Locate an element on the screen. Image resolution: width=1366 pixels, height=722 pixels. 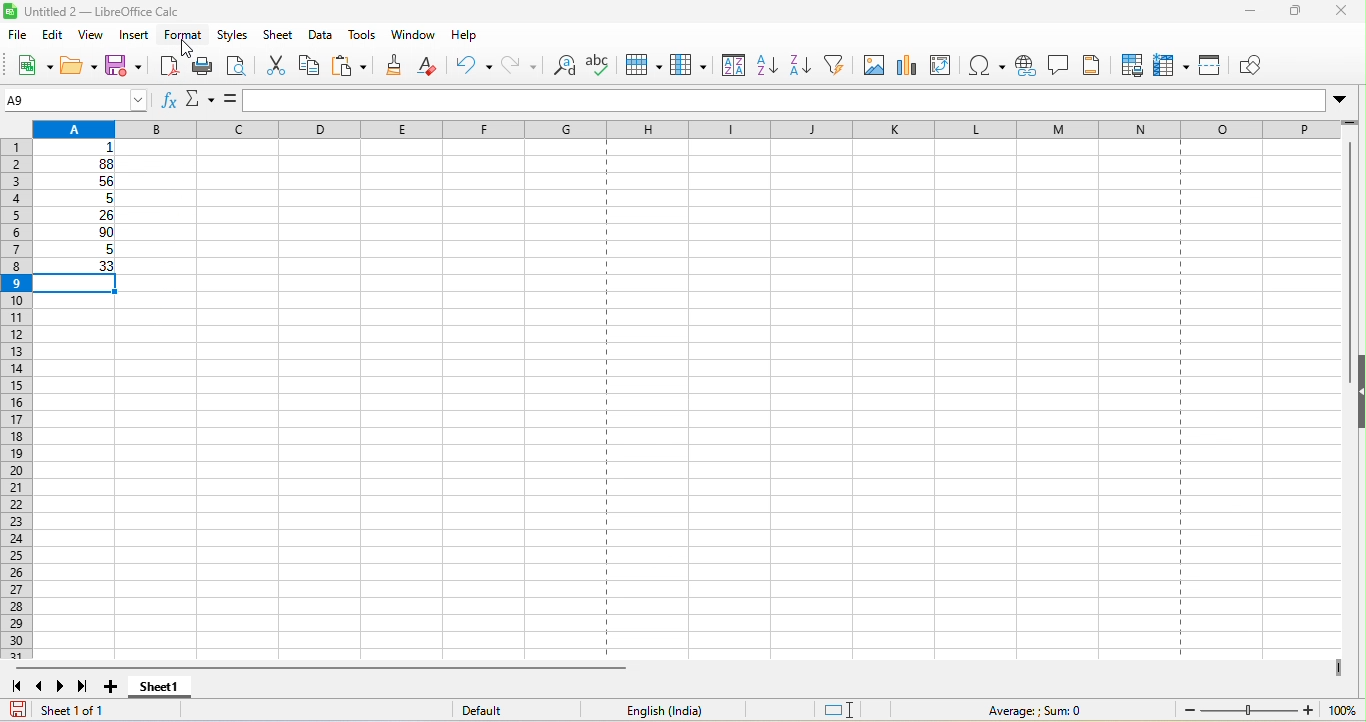
split window is located at coordinates (1210, 66).